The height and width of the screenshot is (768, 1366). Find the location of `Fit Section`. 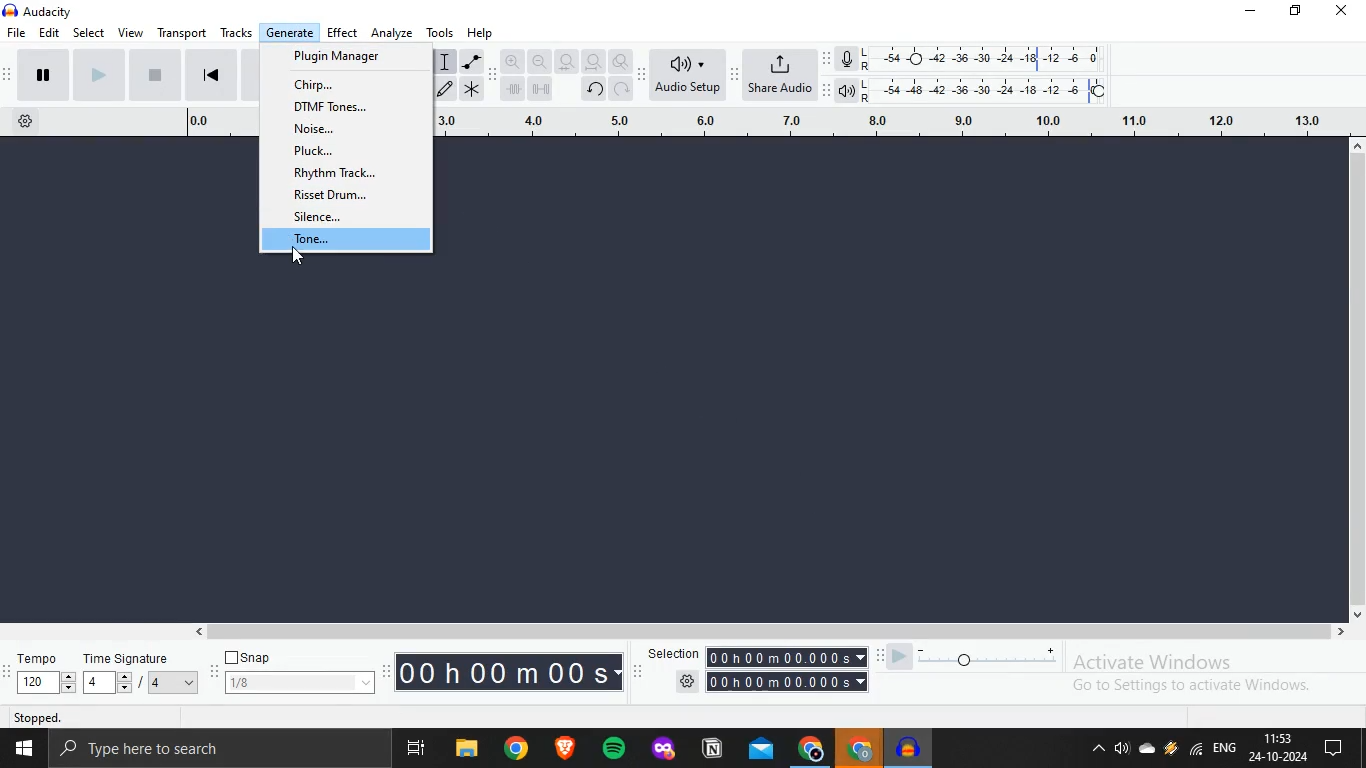

Fit Section is located at coordinates (567, 62).